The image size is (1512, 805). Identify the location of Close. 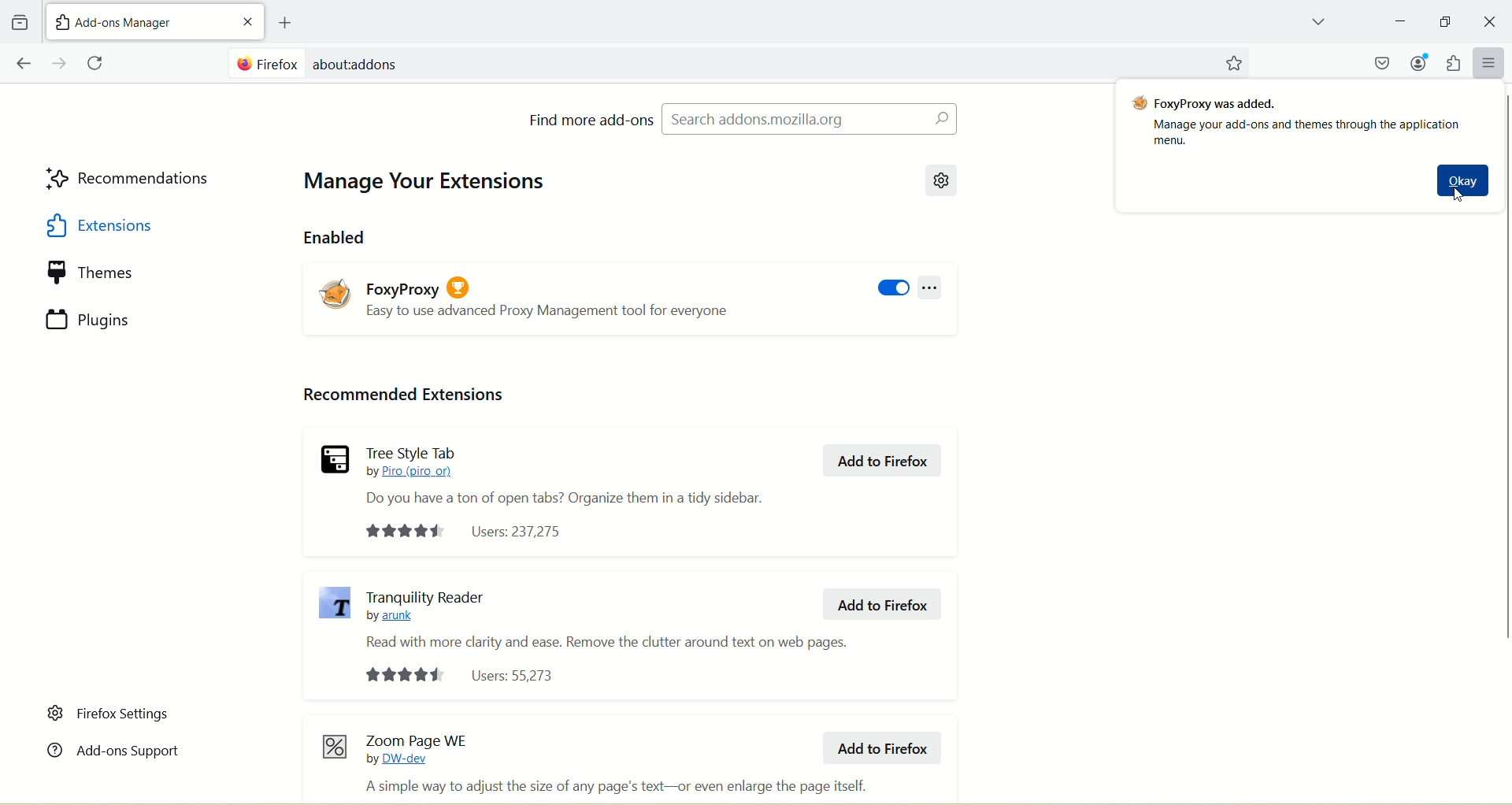
(248, 21).